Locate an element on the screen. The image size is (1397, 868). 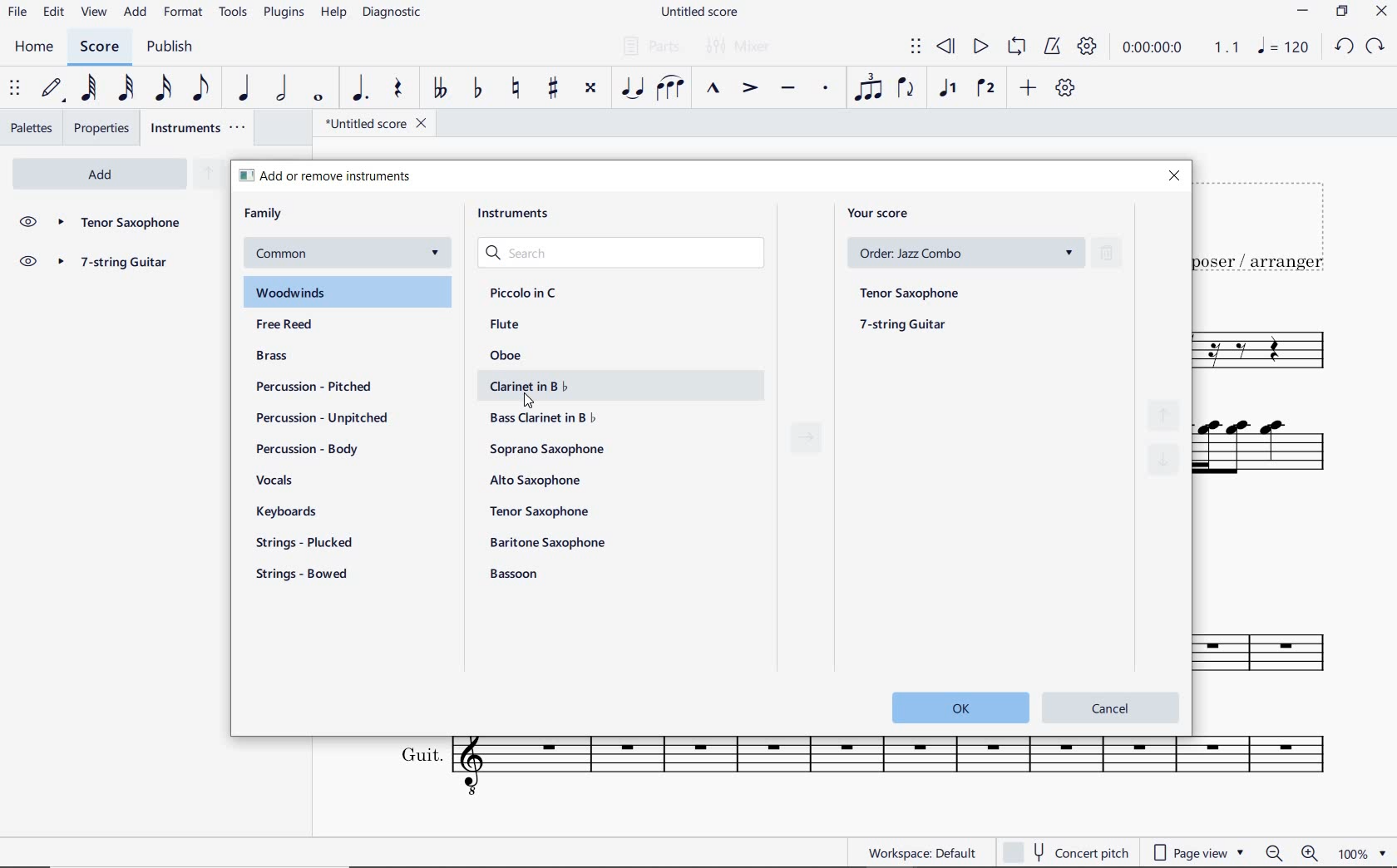
SELECT TO MOVE is located at coordinates (916, 49).